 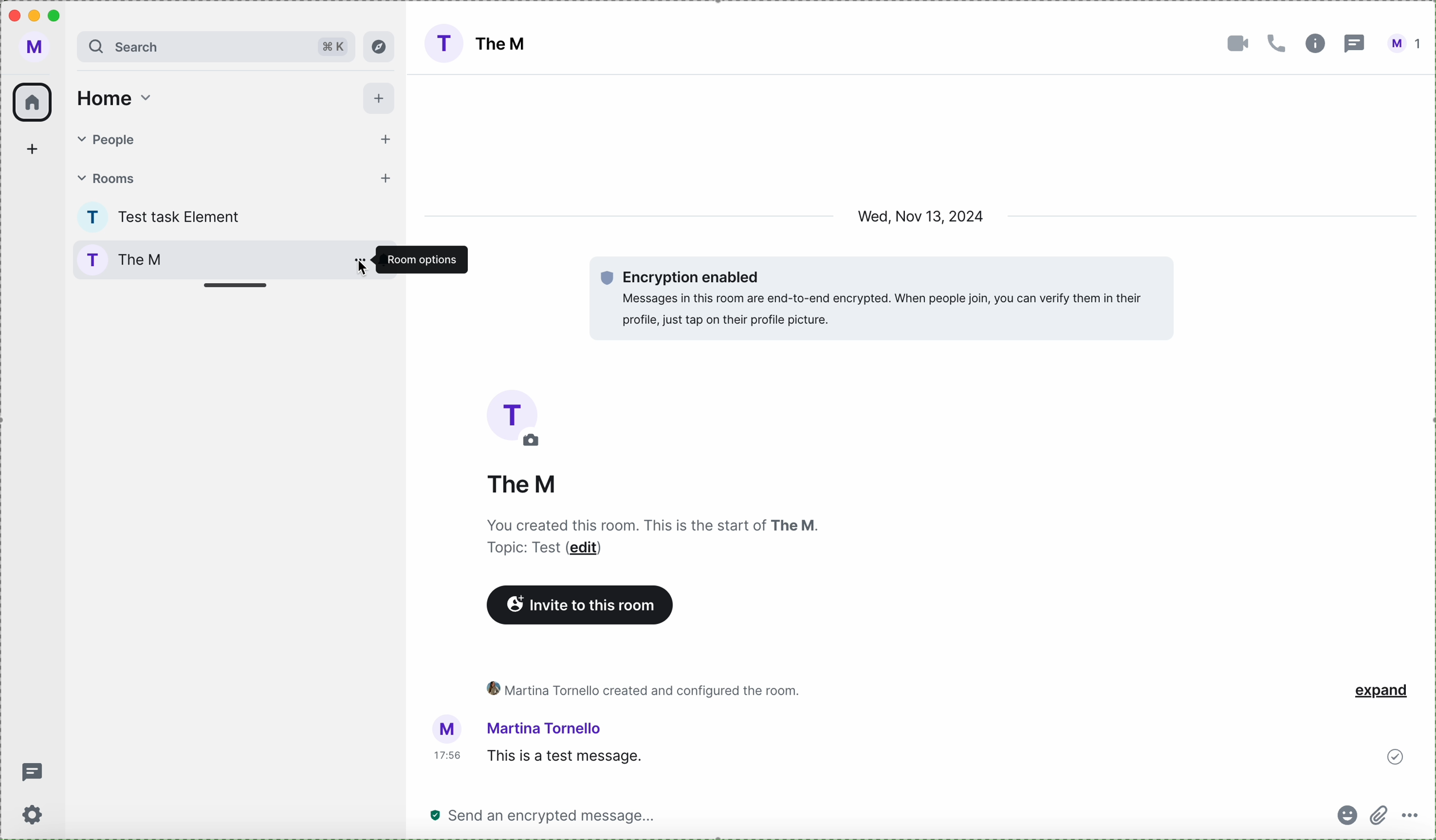 I want to click on user, so click(x=1402, y=44).